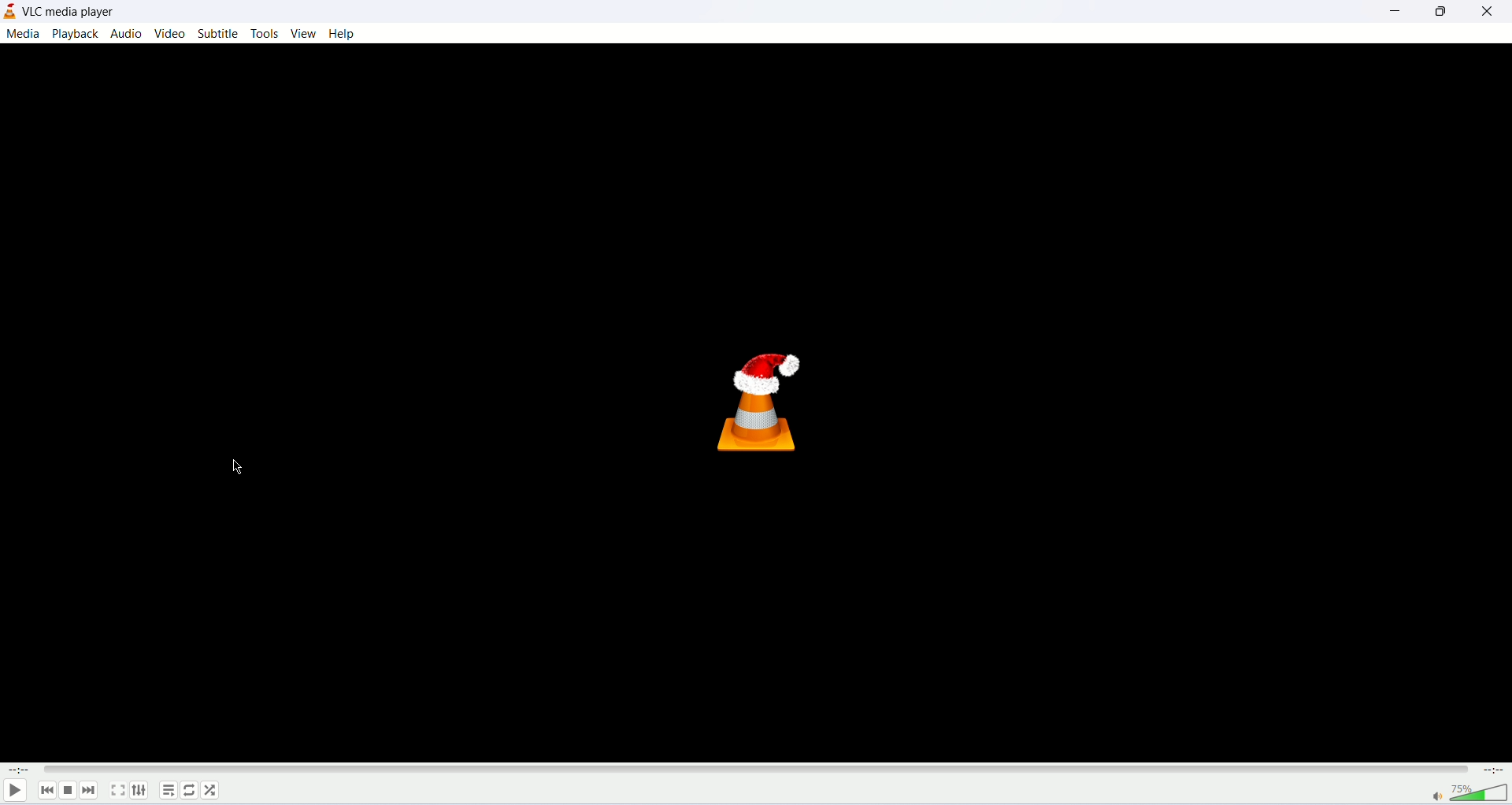 The height and width of the screenshot is (805, 1512). I want to click on play, so click(14, 792).